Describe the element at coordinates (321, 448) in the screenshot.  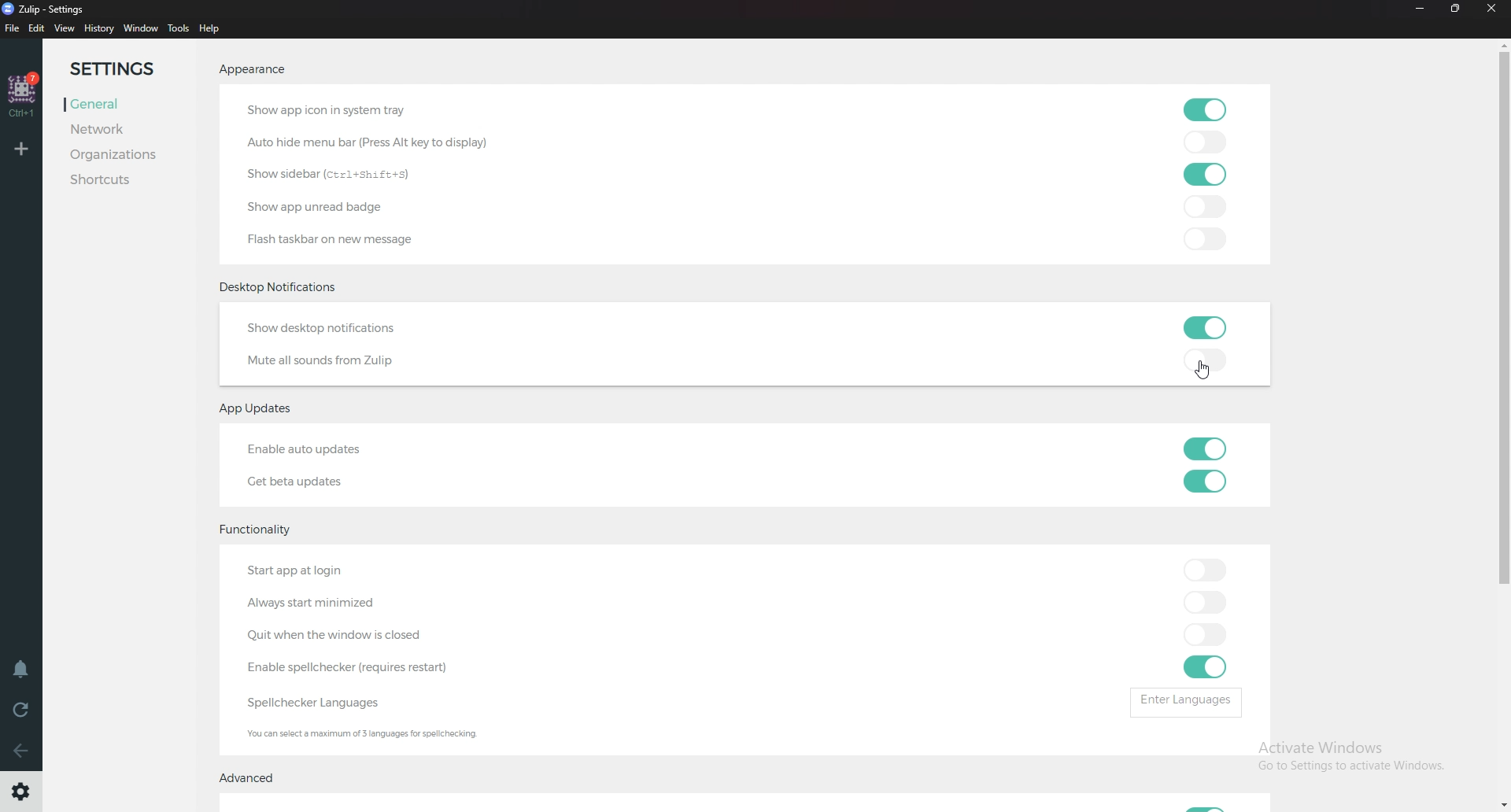
I see `Enable auto updates` at that location.